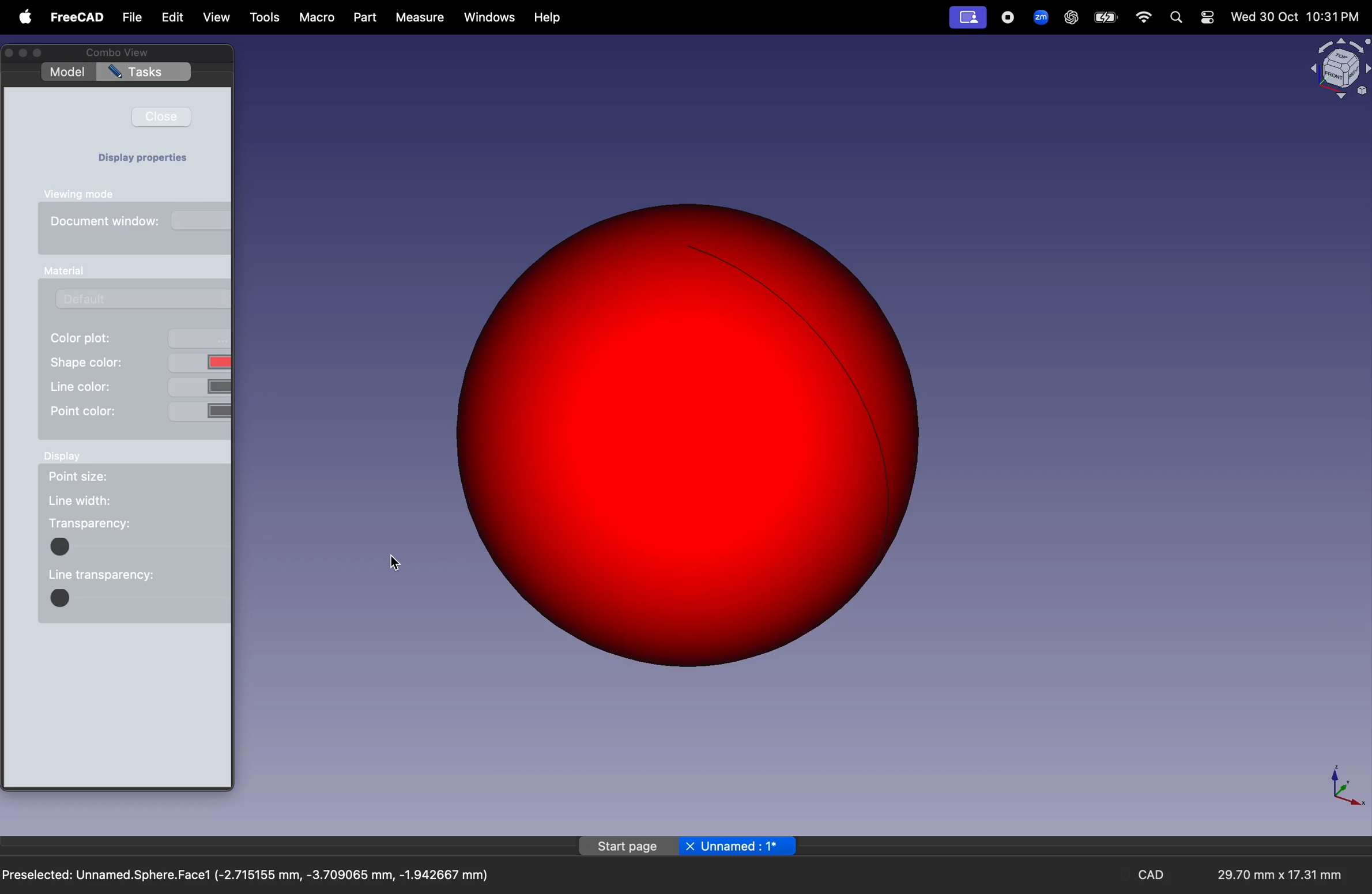 The height and width of the screenshot is (894, 1372). What do you see at coordinates (138, 362) in the screenshot?
I see `shape color` at bounding box center [138, 362].